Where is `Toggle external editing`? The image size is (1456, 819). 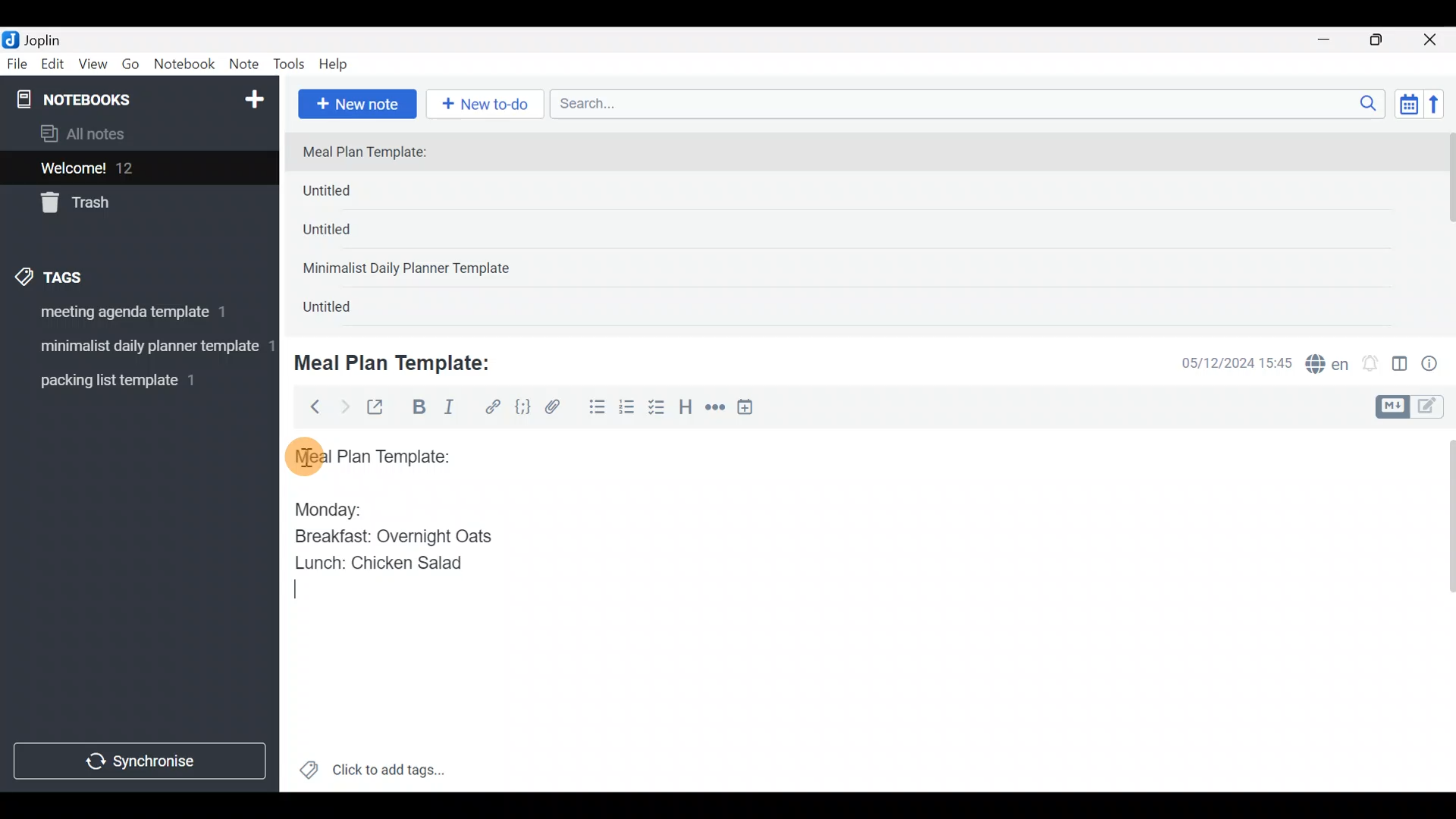 Toggle external editing is located at coordinates (381, 408).